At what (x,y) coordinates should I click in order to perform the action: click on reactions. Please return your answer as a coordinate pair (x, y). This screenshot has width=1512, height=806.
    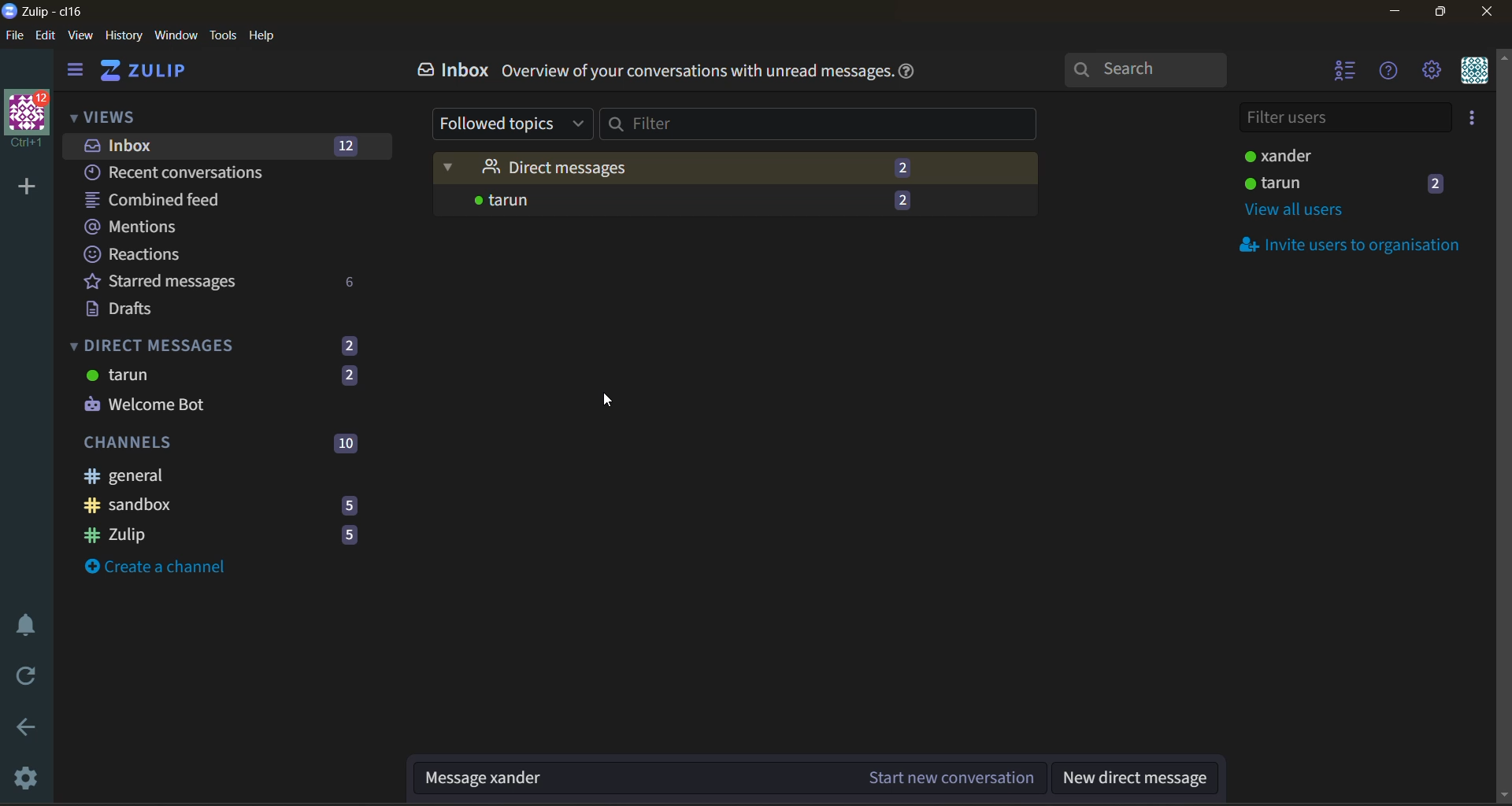
    Looking at the image, I should click on (139, 254).